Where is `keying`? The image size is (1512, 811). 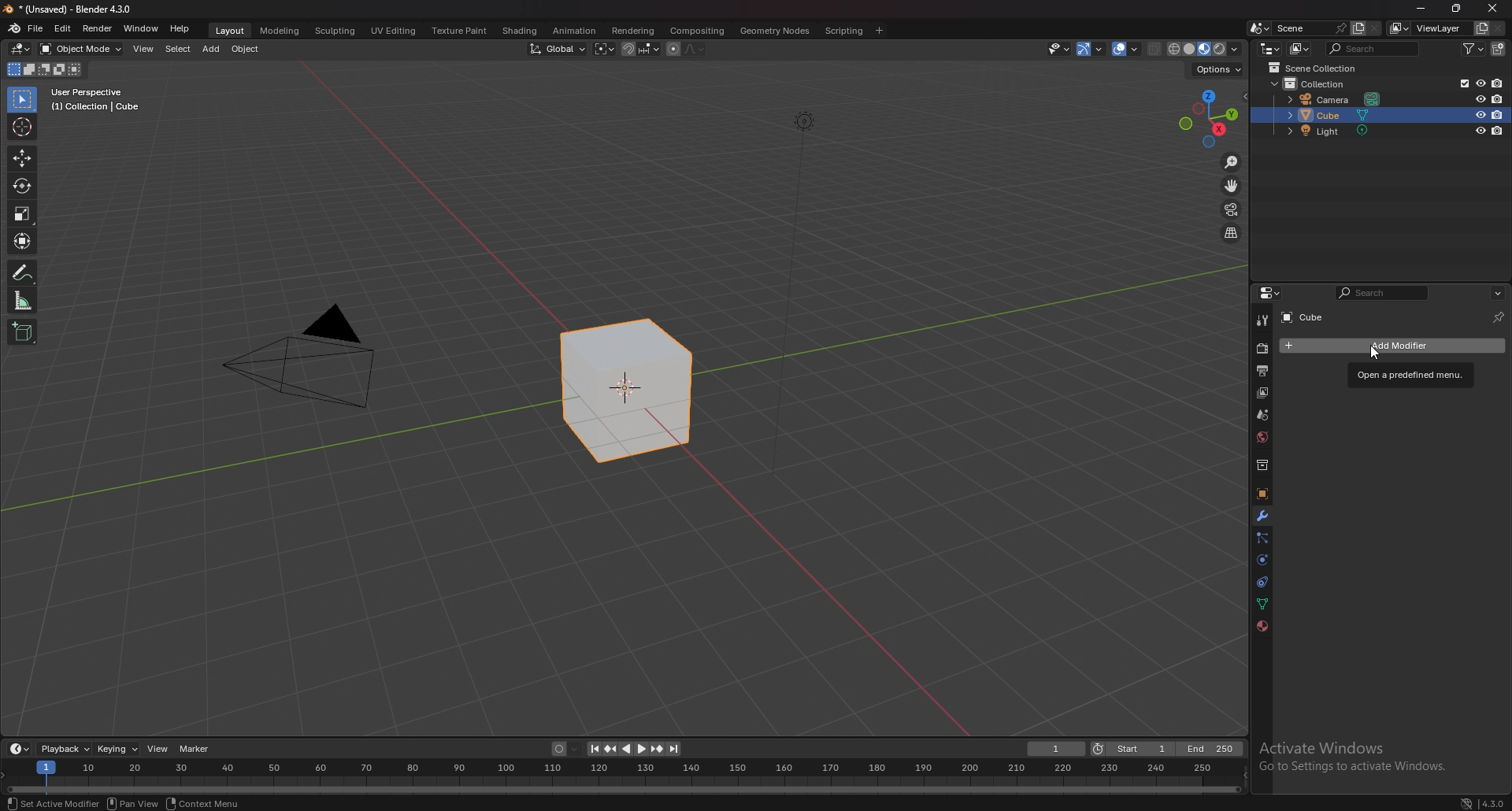
keying is located at coordinates (117, 749).